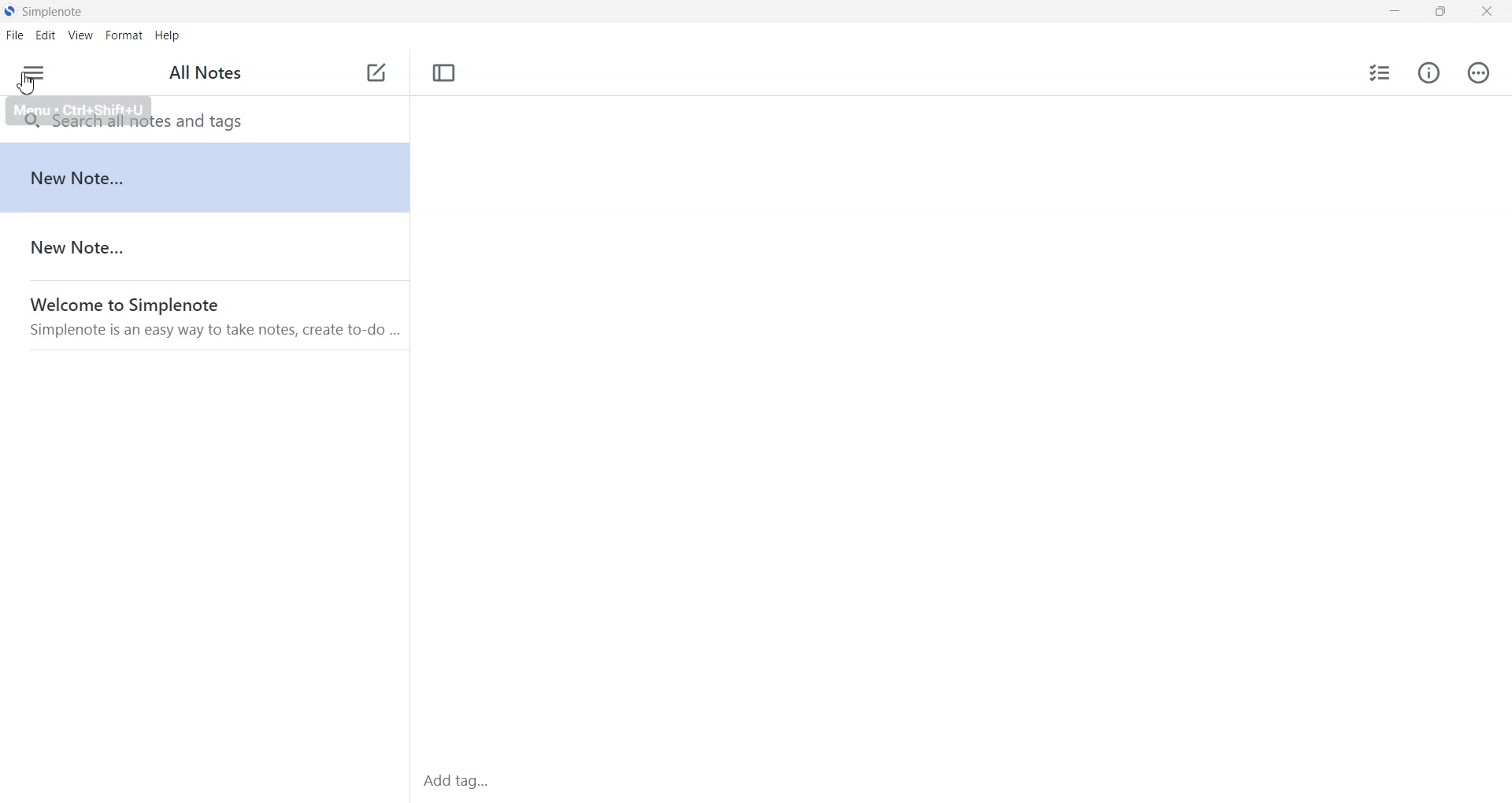 Image resolution: width=1512 pixels, height=803 pixels. Describe the element at coordinates (206, 74) in the screenshot. I see `Text` at that location.